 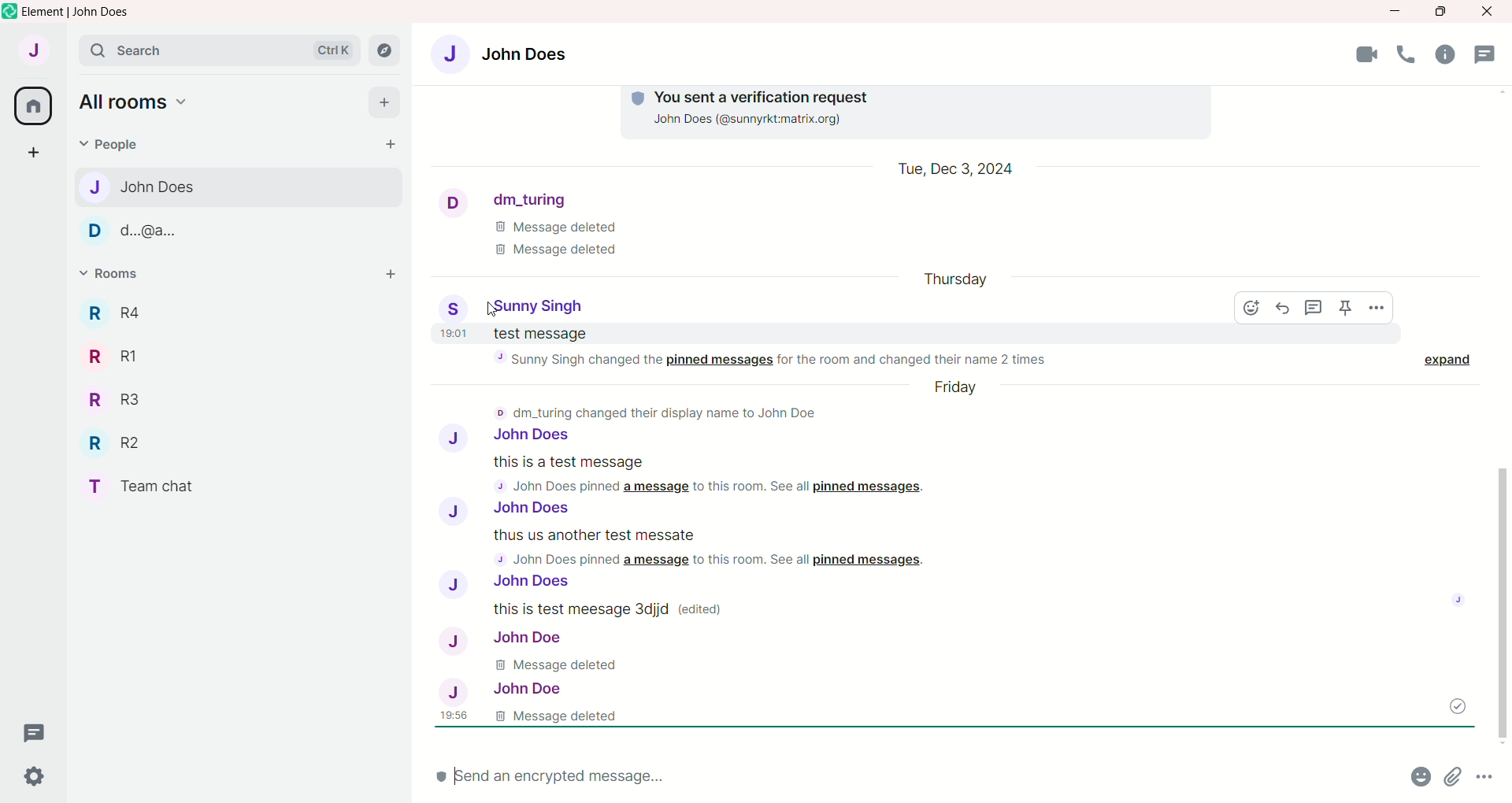 I want to click on element, so click(x=78, y=13).